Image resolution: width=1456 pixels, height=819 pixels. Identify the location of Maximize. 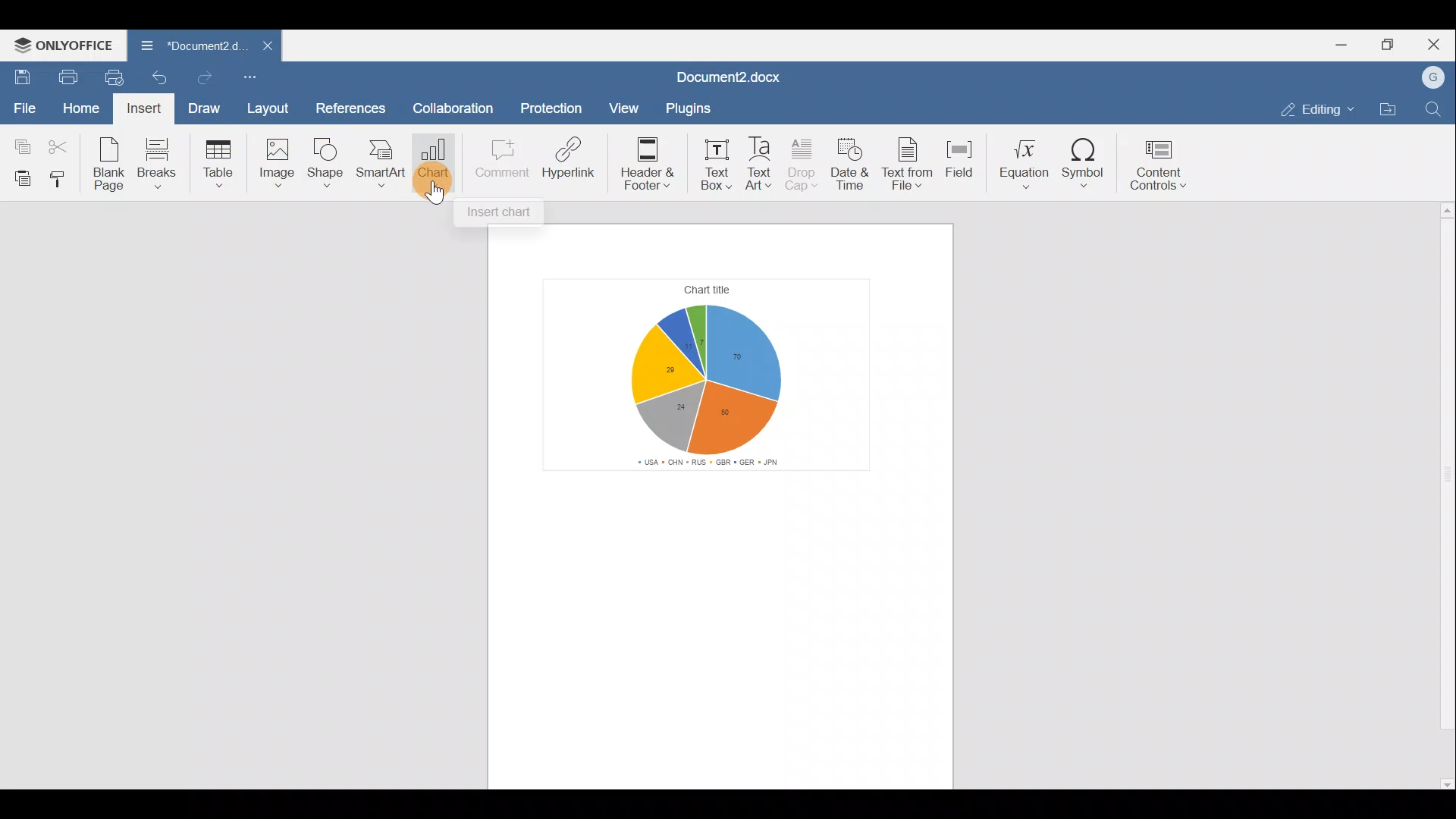
(1391, 45).